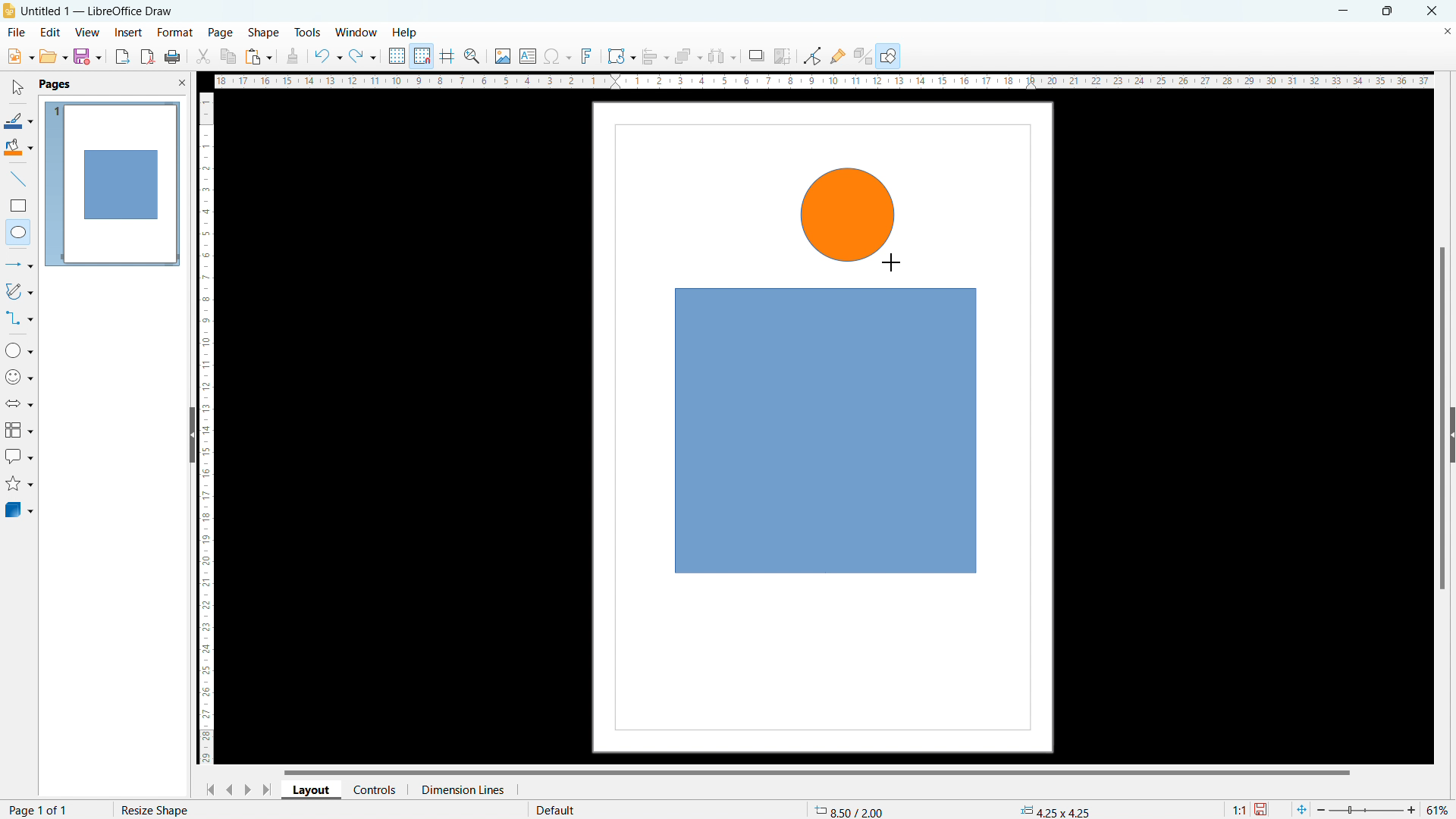  What do you see at coordinates (54, 83) in the screenshot?
I see `pages` at bounding box center [54, 83].